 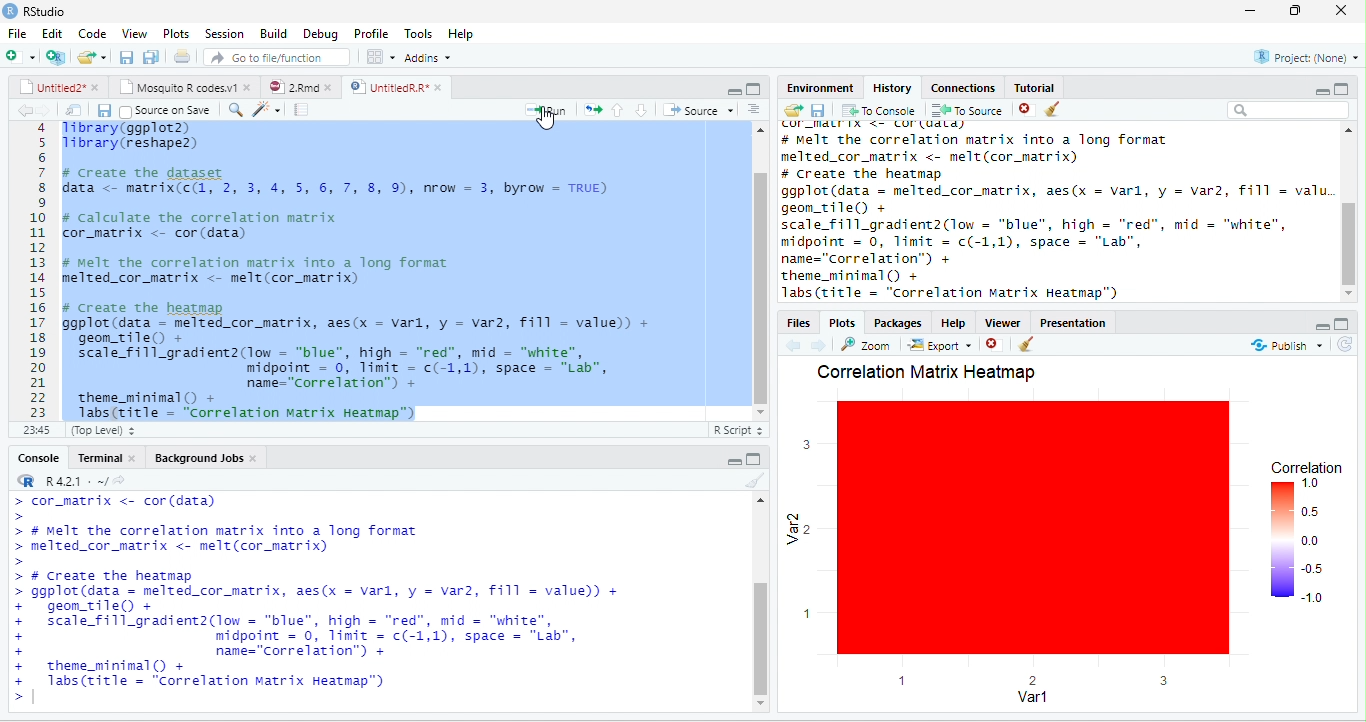 What do you see at coordinates (761, 603) in the screenshot?
I see `slide bar` at bounding box center [761, 603].